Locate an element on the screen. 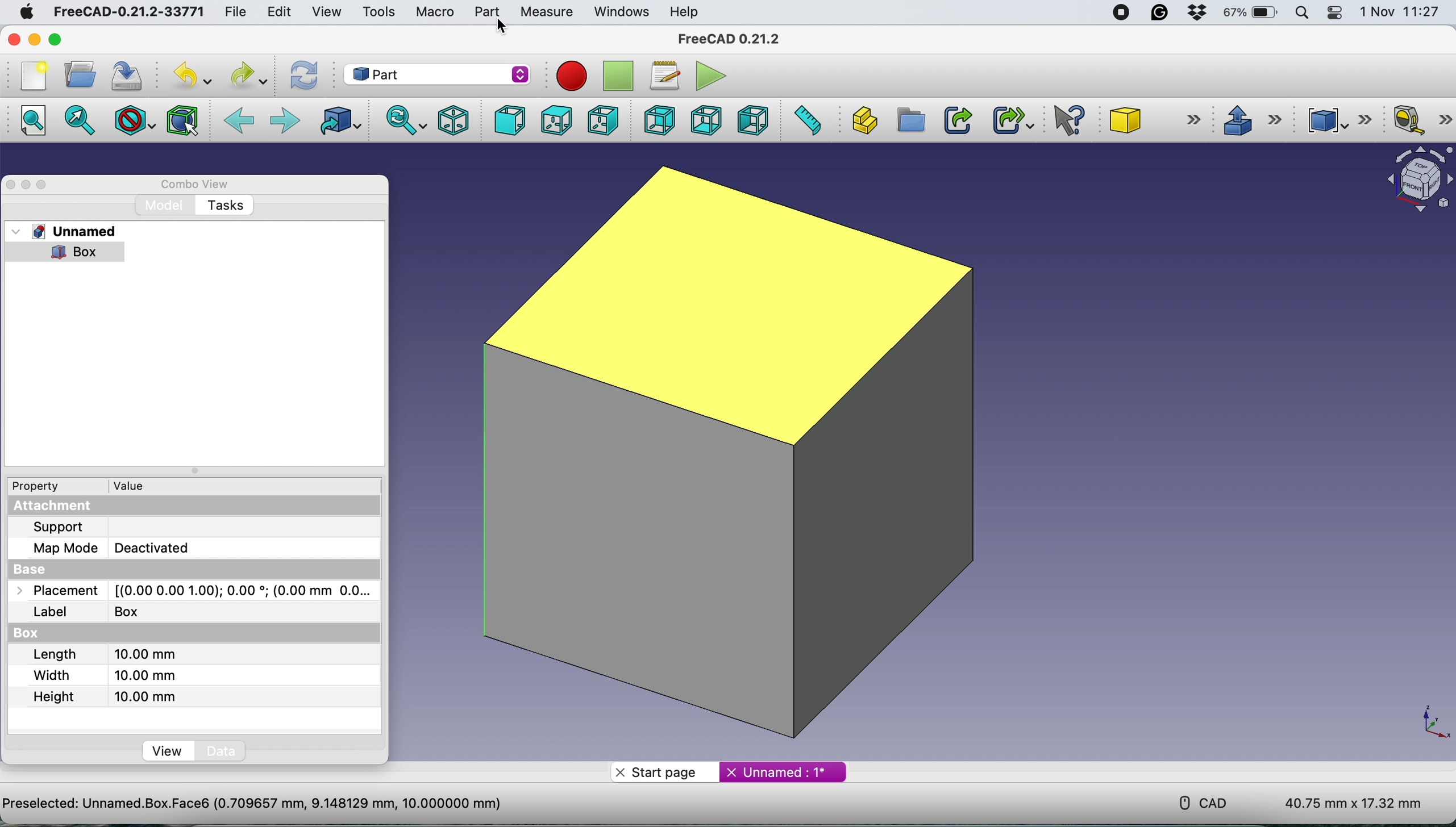 The height and width of the screenshot is (827, 1456). model is located at coordinates (165, 204).